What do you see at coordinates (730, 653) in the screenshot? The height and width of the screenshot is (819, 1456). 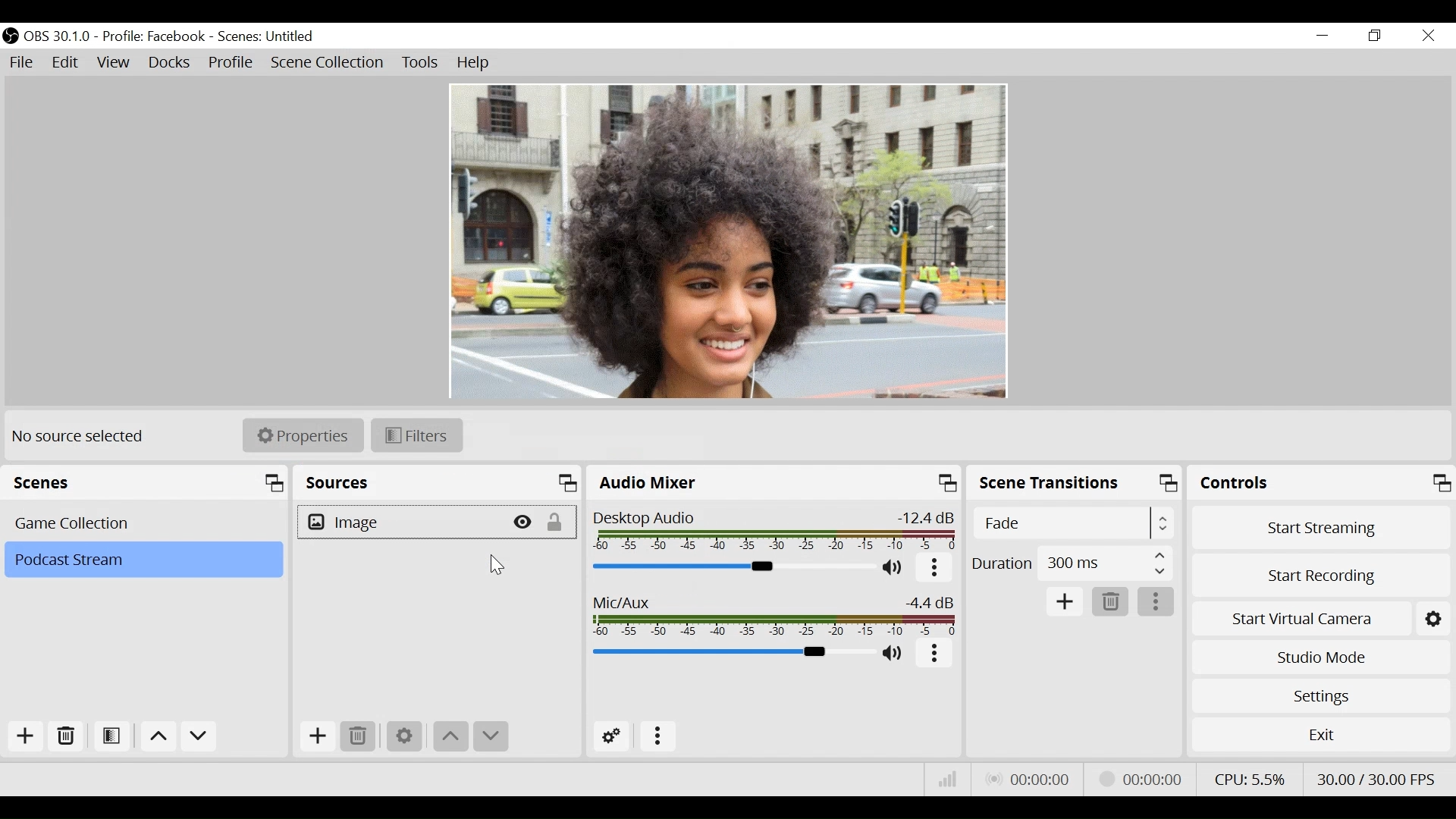 I see `Mic Slider` at bounding box center [730, 653].